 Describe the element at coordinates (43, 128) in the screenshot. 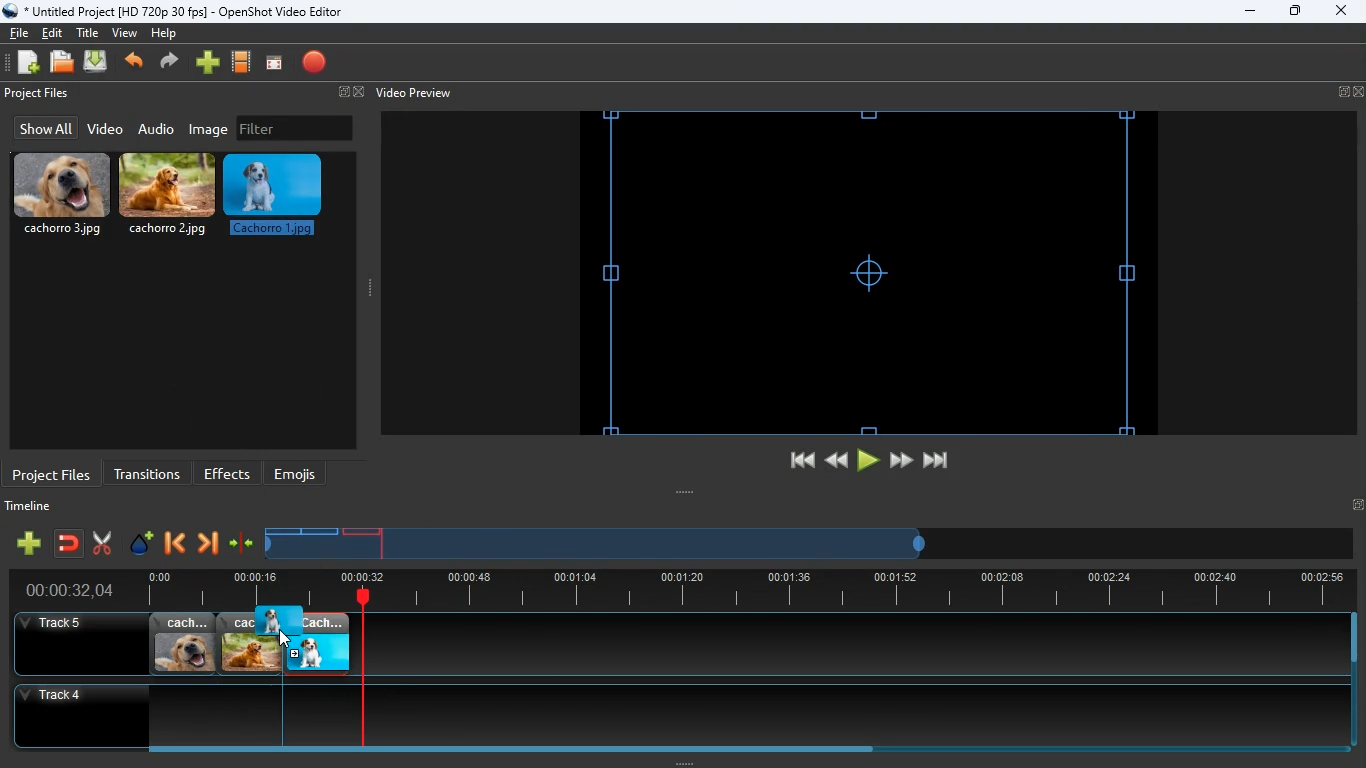

I see `show all` at that location.